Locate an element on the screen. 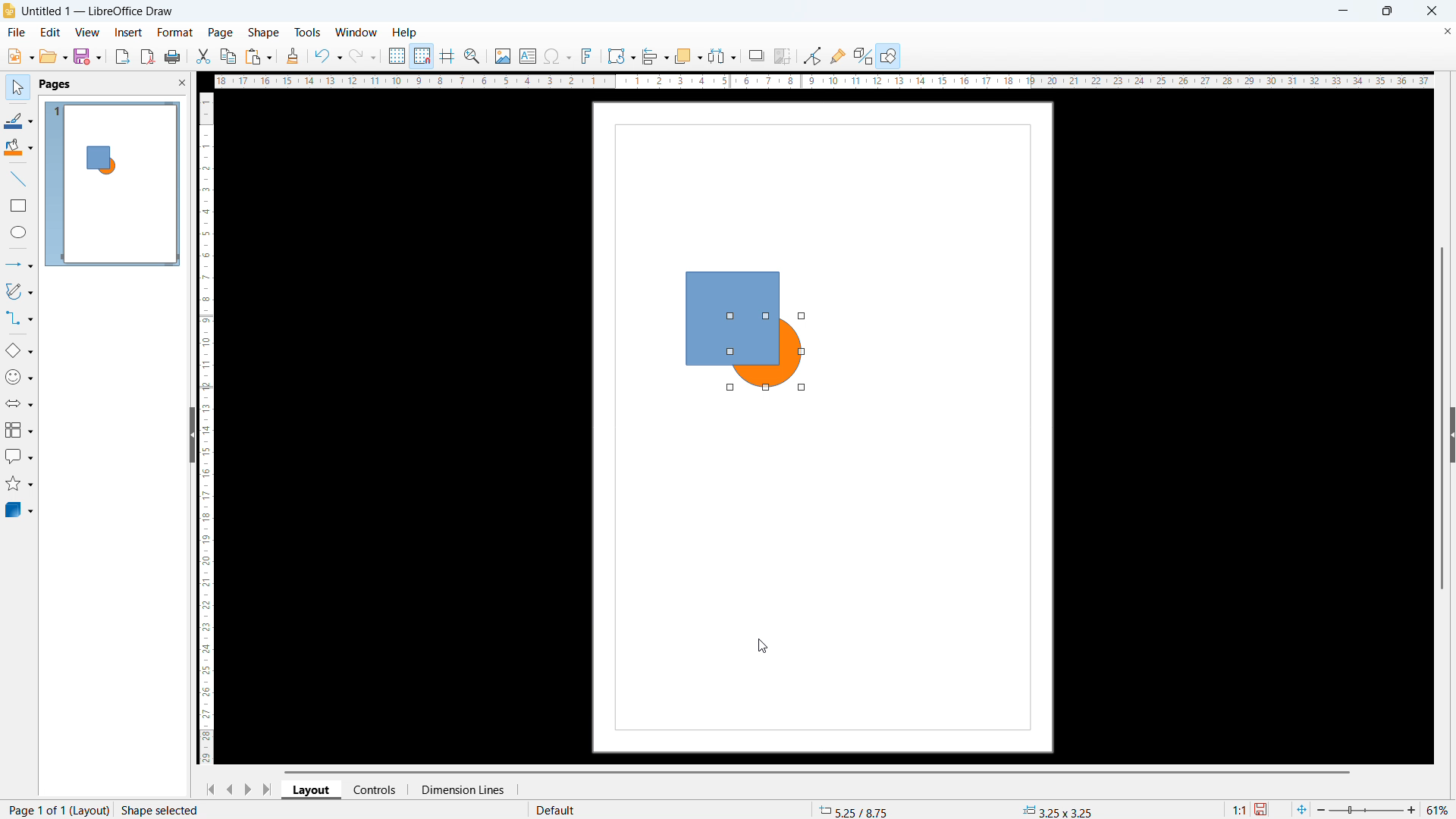 This screenshot has height=819, width=1456. view  is located at coordinates (87, 32).